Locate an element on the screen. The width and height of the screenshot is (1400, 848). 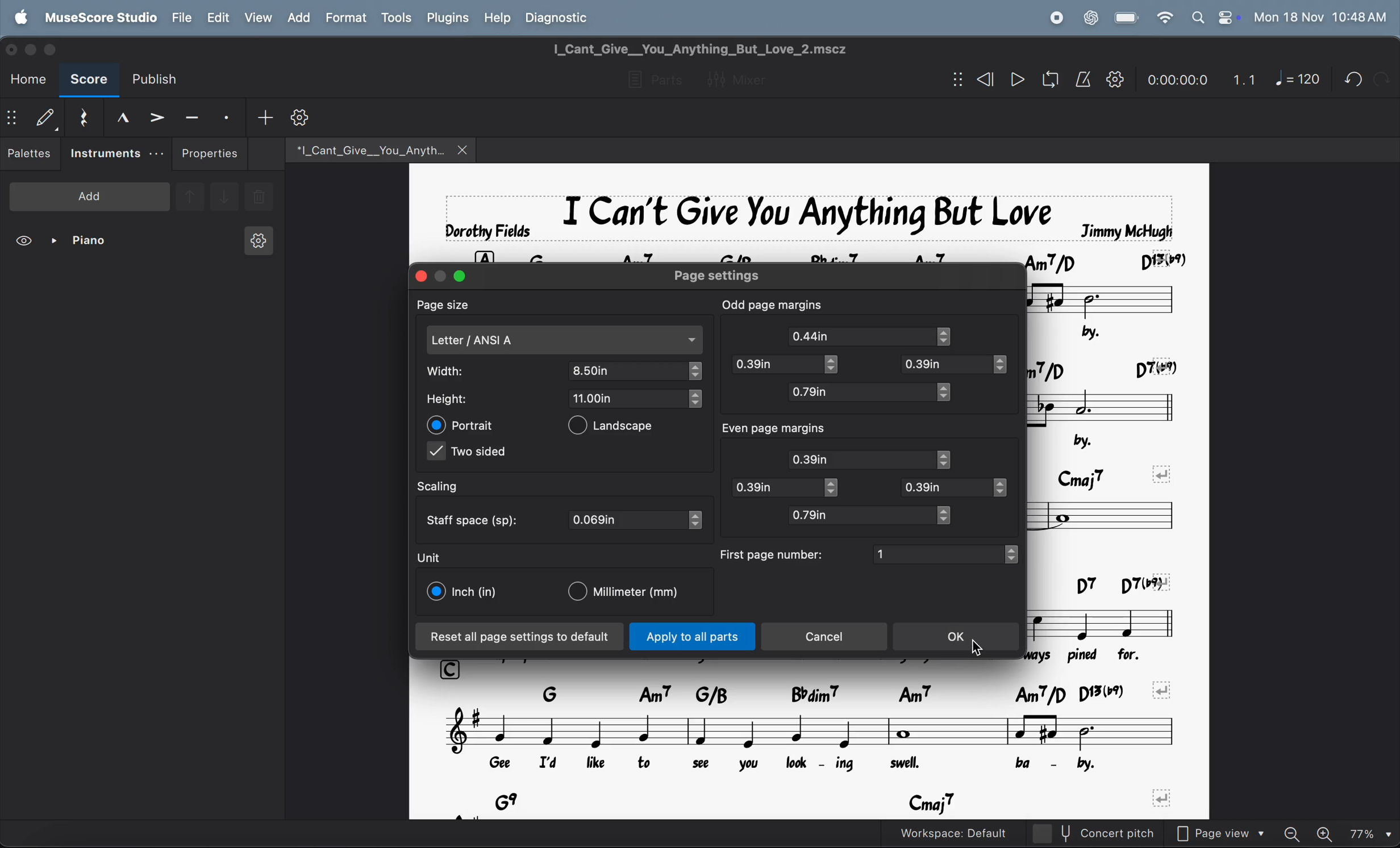
lyrics is located at coordinates (1100, 653).